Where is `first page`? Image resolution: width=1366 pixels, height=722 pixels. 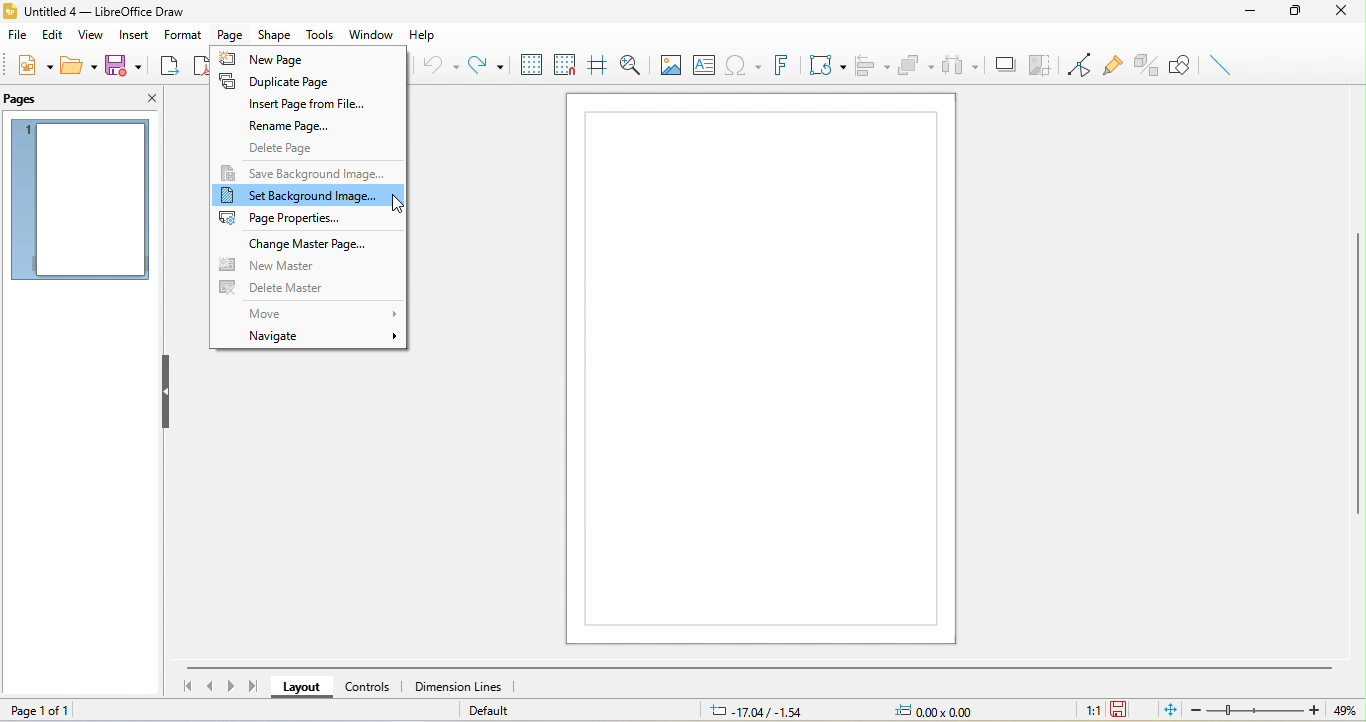
first page is located at coordinates (183, 686).